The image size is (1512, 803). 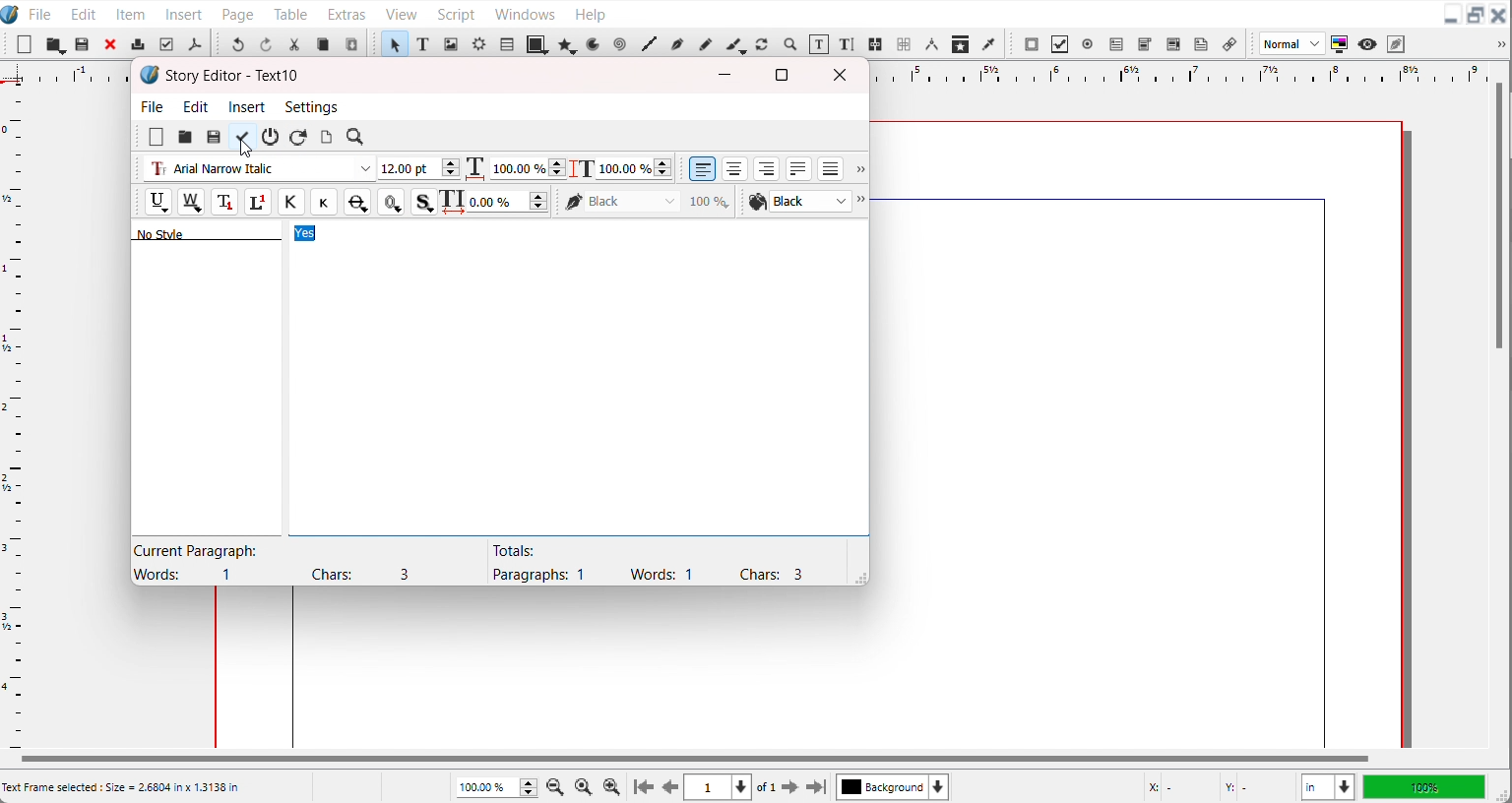 I want to click on Preview, so click(x=1368, y=44).